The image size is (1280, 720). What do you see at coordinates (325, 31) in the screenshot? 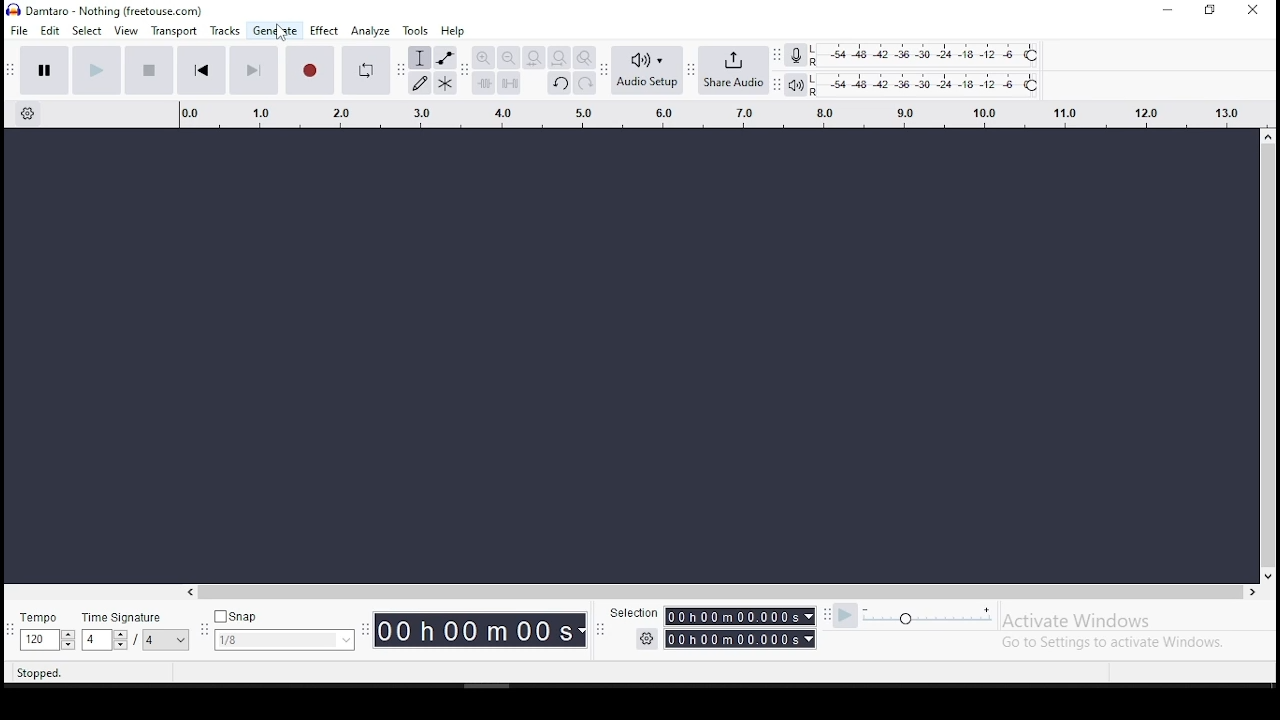
I see `effect` at bounding box center [325, 31].